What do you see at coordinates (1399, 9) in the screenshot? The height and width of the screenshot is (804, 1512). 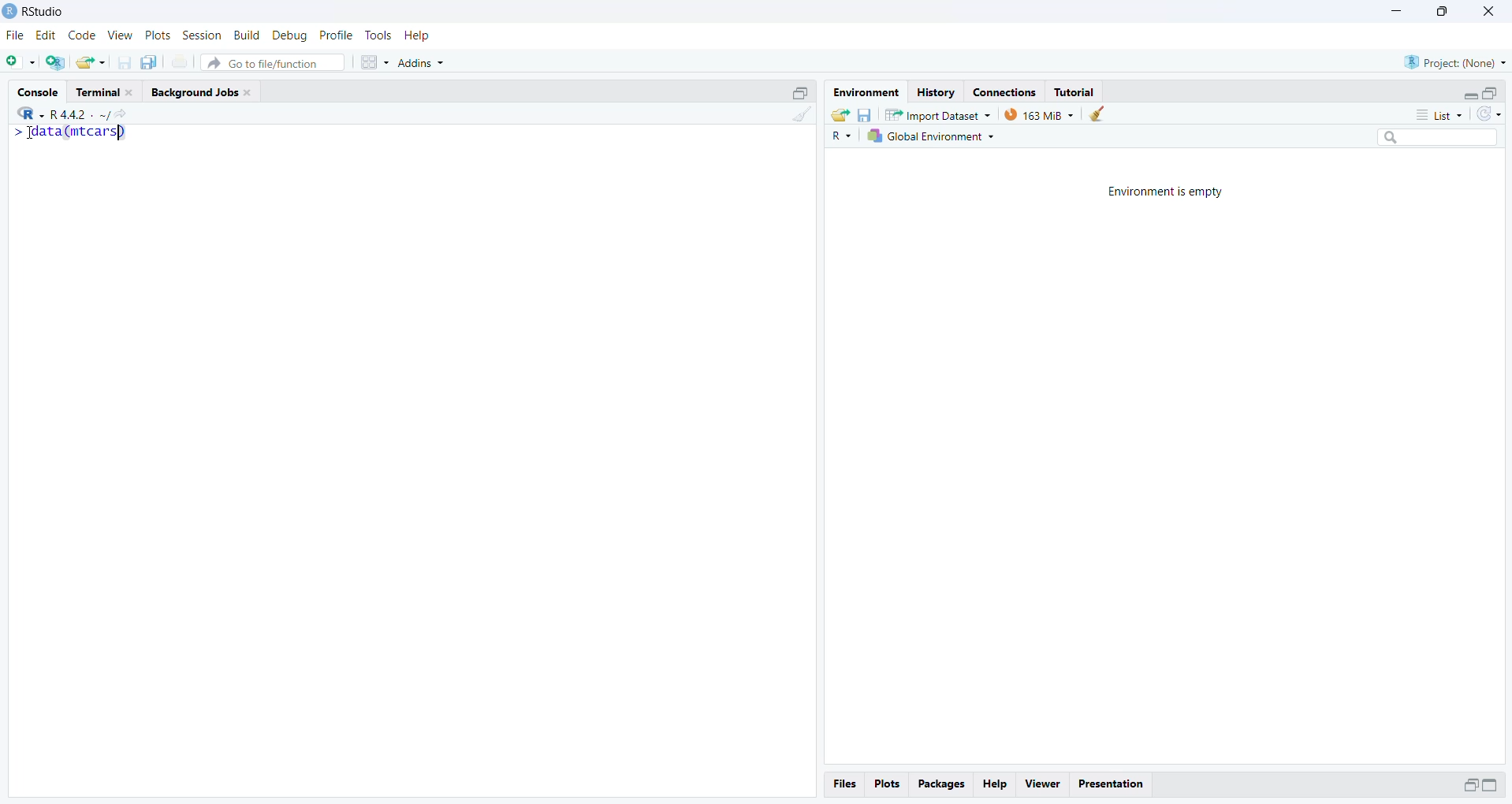 I see `minimise` at bounding box center [1399, 9].